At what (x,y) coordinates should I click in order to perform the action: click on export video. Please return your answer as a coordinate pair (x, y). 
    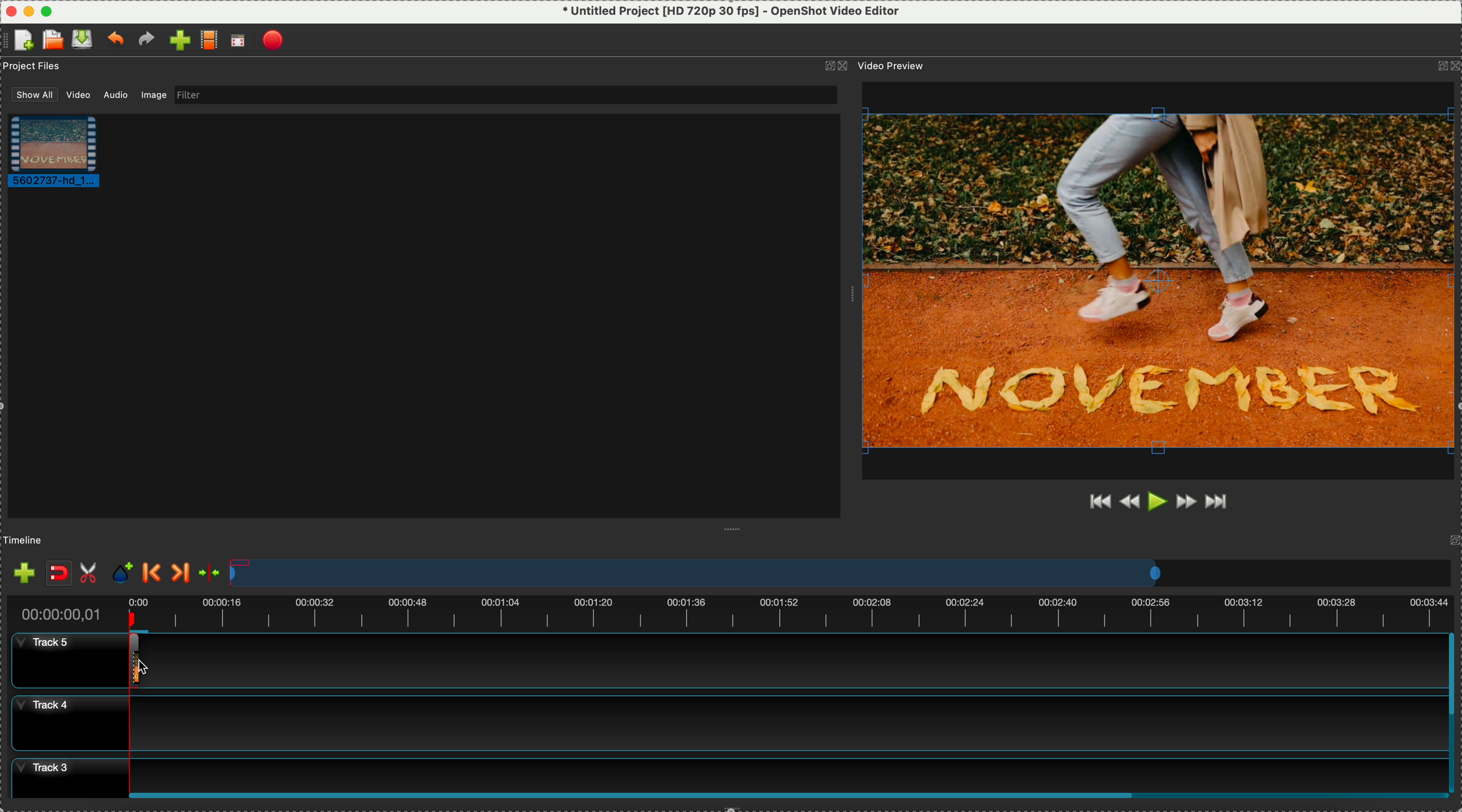
    Looking at the image, I should click on (275, 40).